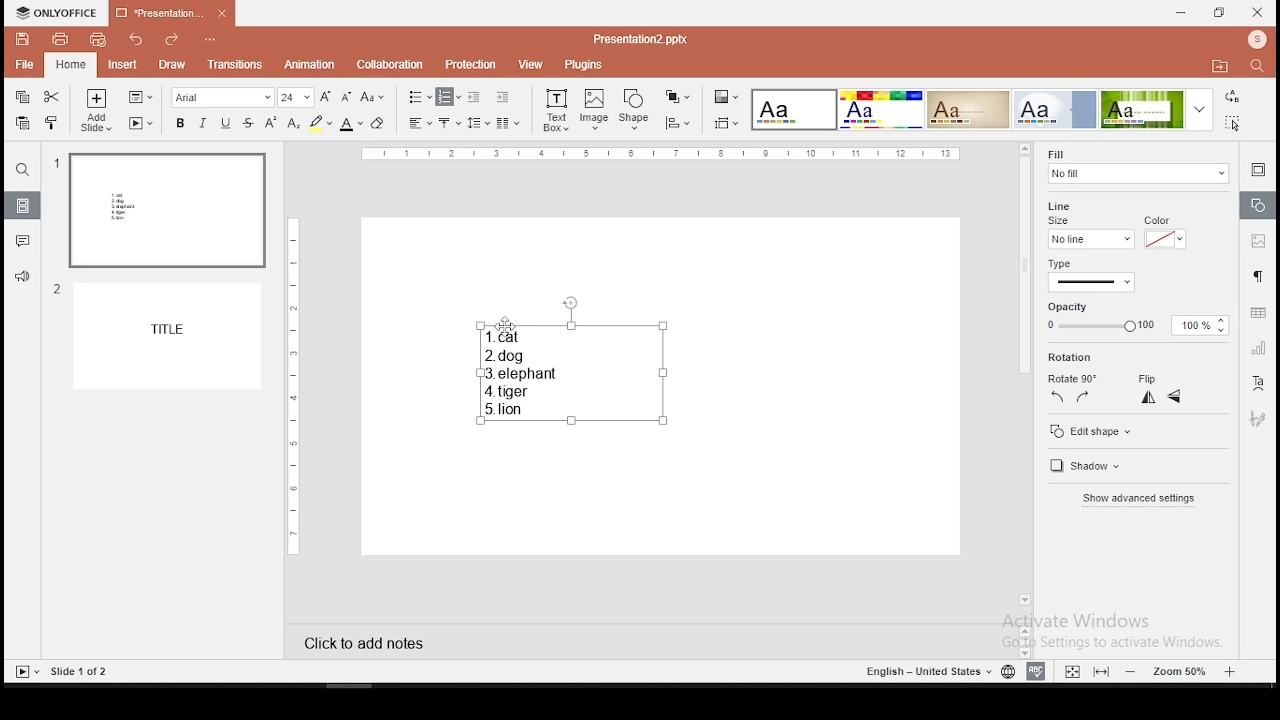  Describe the element at coordinates (225, 123) in the screenshot. I see `underline` at that location.